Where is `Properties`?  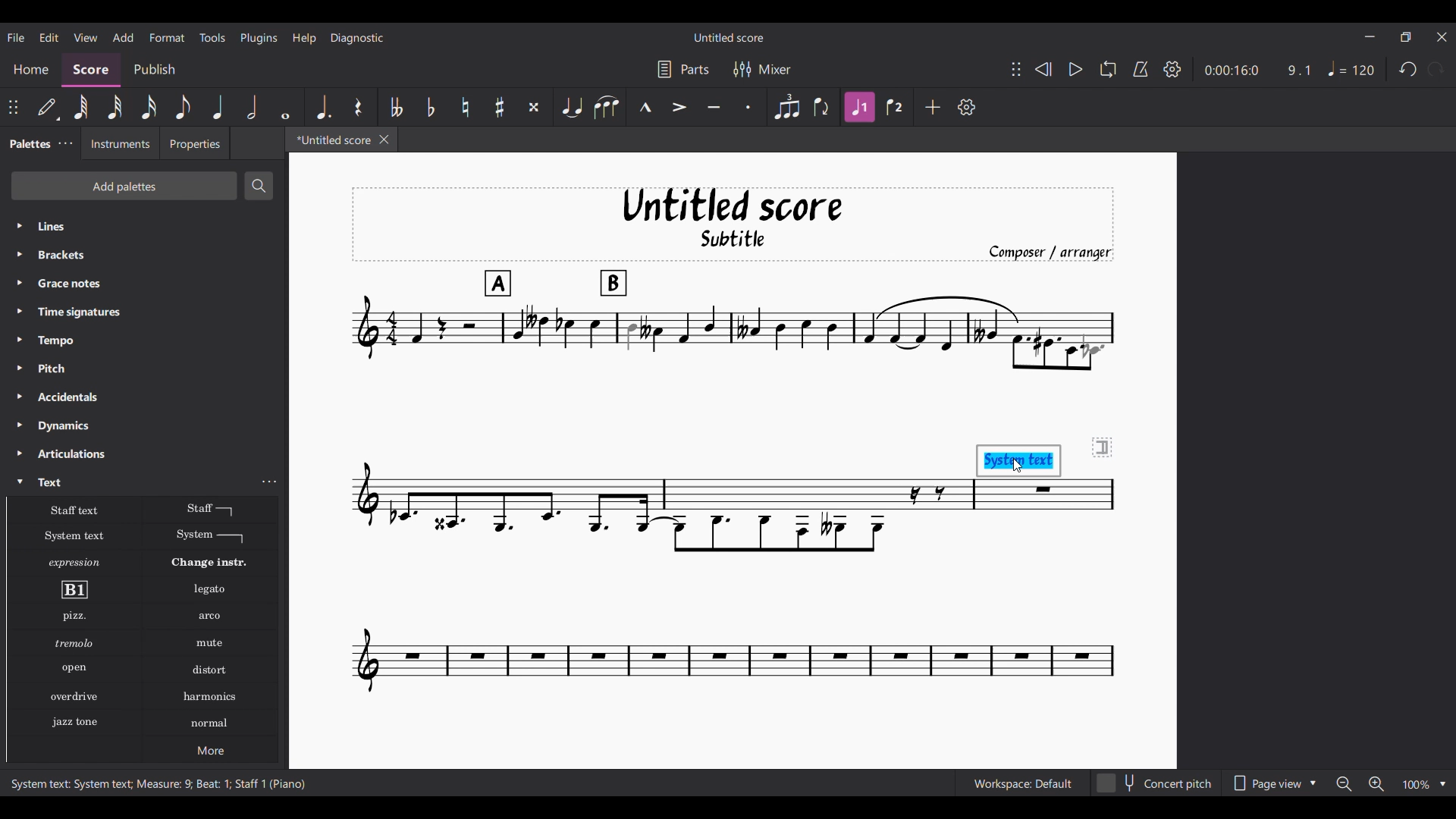
Properties is located at coordinates (195, 143).